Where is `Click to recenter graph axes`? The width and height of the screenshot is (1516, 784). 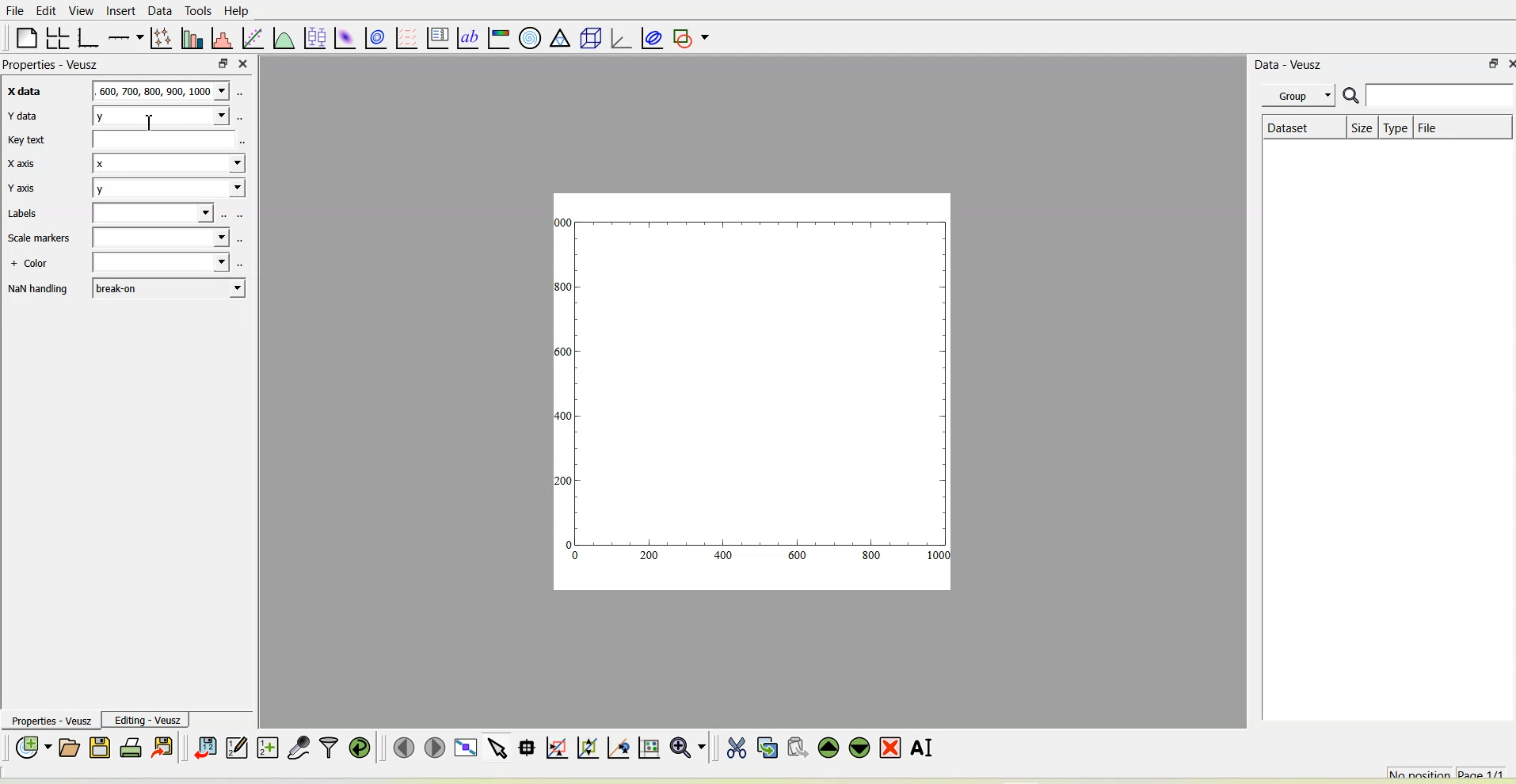
Click to recenter graph axes is located at coordinates (618, 748).